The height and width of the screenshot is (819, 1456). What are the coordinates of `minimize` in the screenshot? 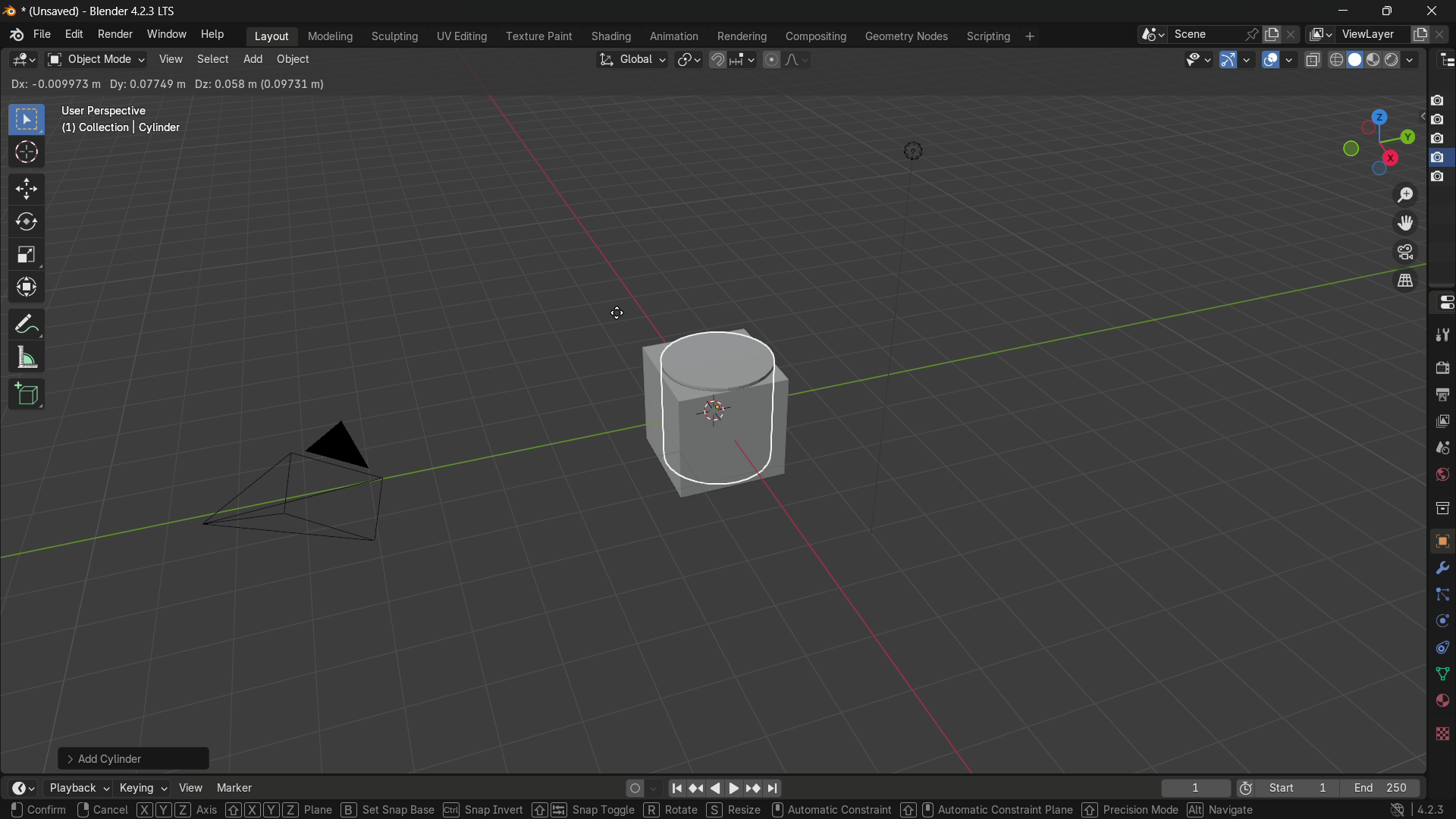 It's located at (1344, 12).